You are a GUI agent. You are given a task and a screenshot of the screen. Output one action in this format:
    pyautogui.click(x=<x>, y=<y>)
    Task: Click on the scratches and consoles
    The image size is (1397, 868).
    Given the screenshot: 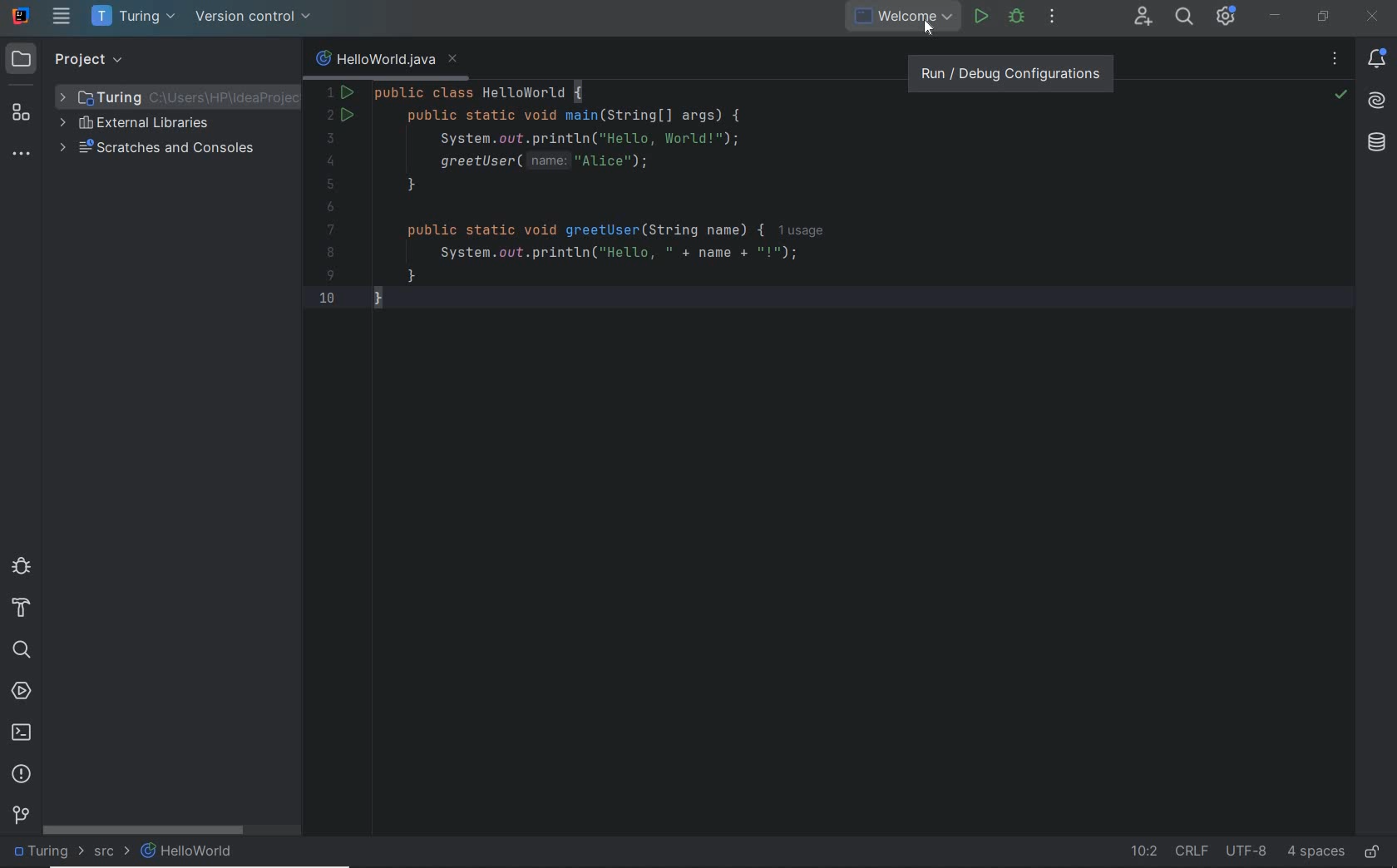 What is the action you would take?
    pyautogui.click(x=157, y=150)
    